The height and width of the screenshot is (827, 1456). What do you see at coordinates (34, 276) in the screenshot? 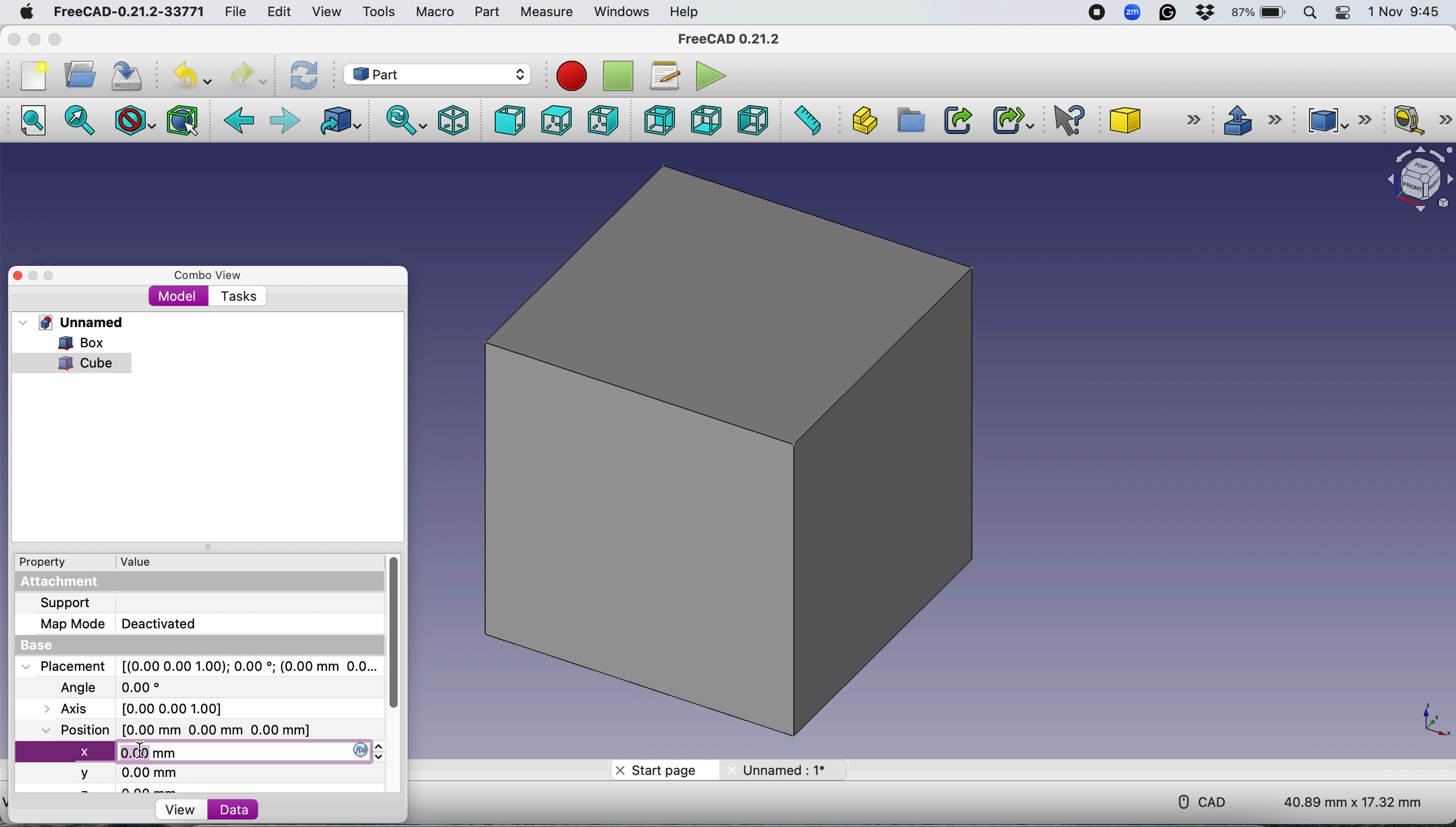
I see `Minimise` at bounding box center [34, 276].